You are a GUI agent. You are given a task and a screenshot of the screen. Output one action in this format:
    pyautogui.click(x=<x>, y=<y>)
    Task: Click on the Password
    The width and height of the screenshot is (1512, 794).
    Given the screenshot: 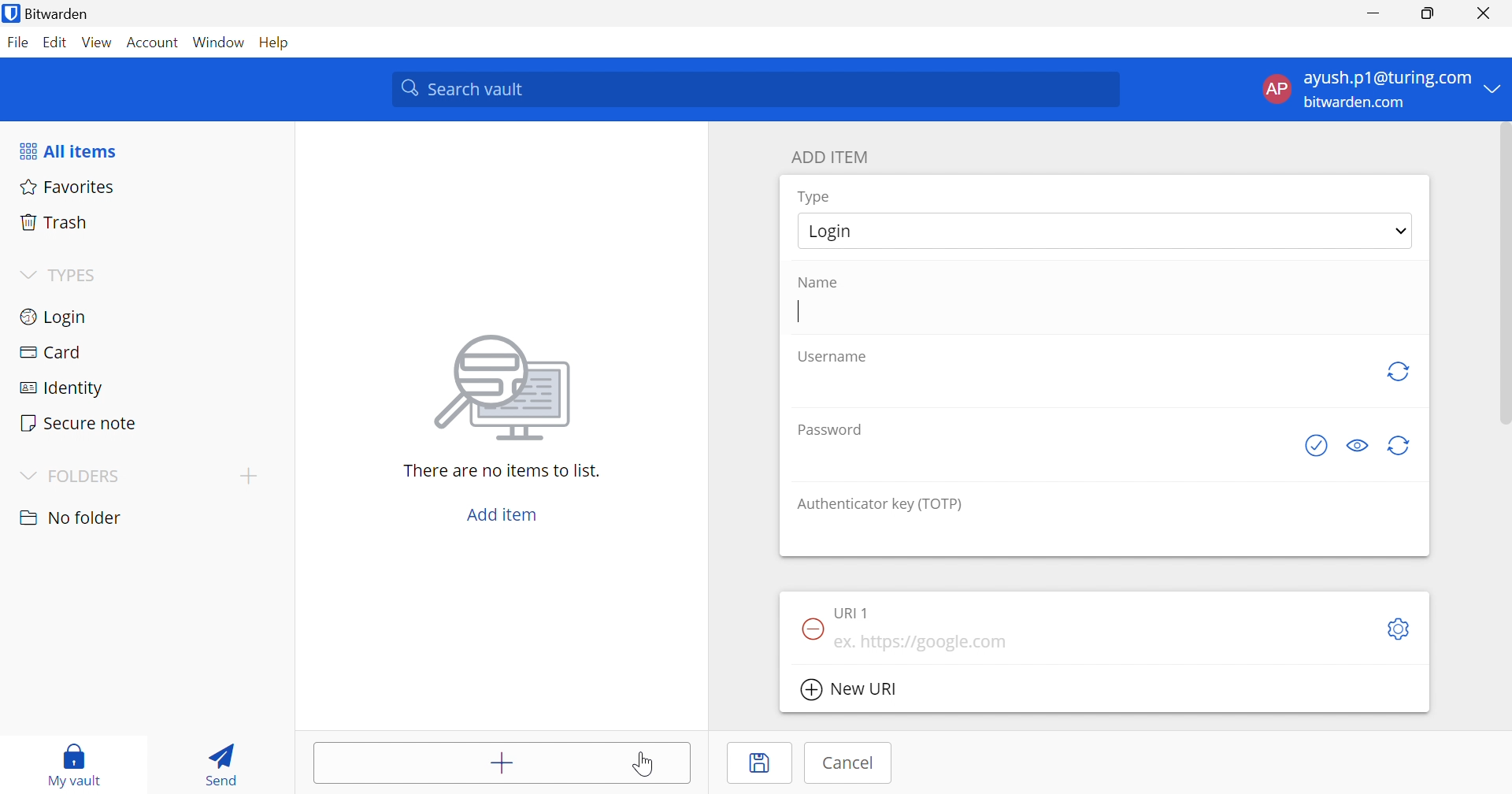 What is the action you would take?
    pyautogui.click(x=831, y=429)
    